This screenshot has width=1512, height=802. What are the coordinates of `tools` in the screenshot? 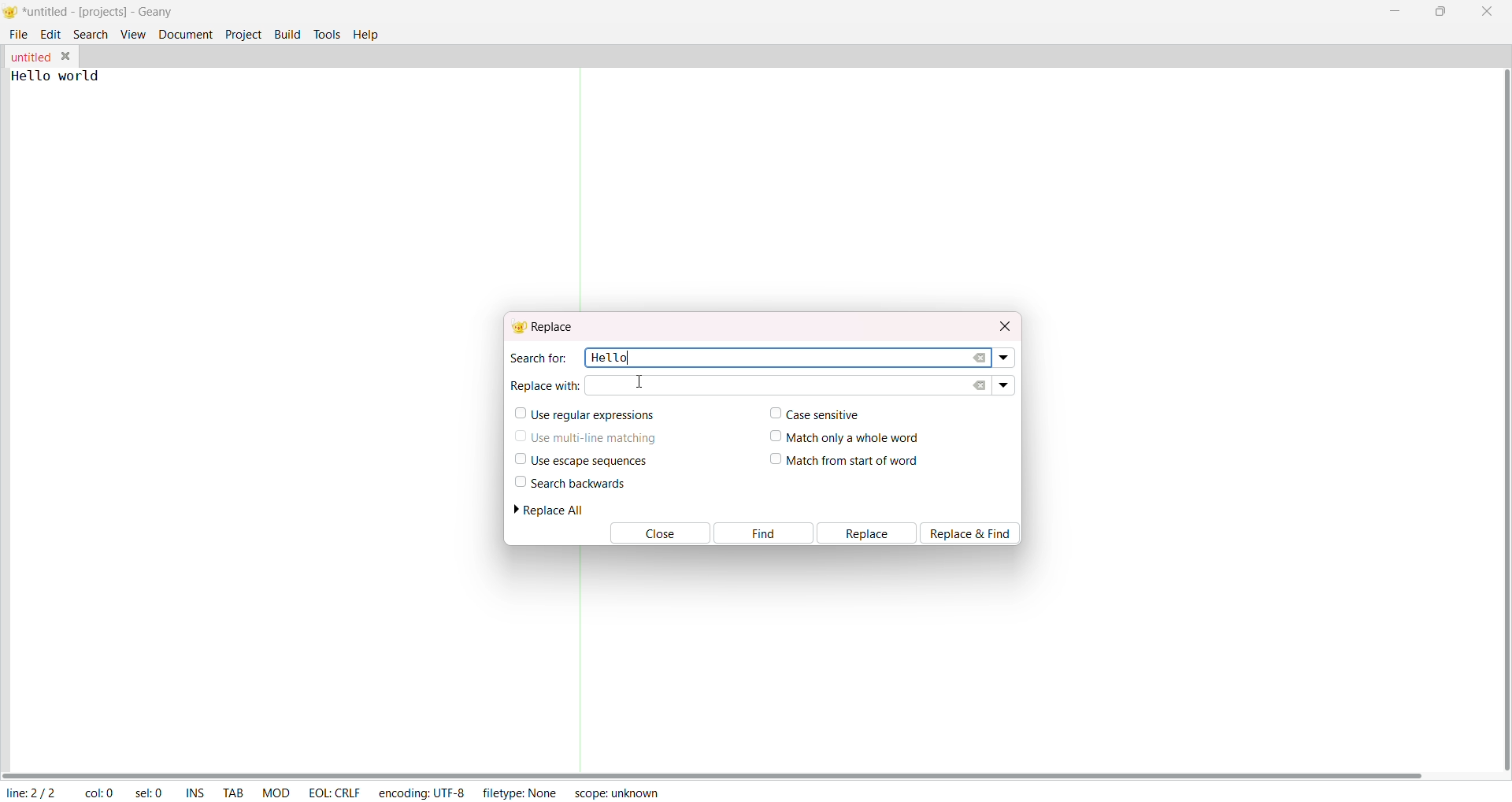 It's located at (328, 33).